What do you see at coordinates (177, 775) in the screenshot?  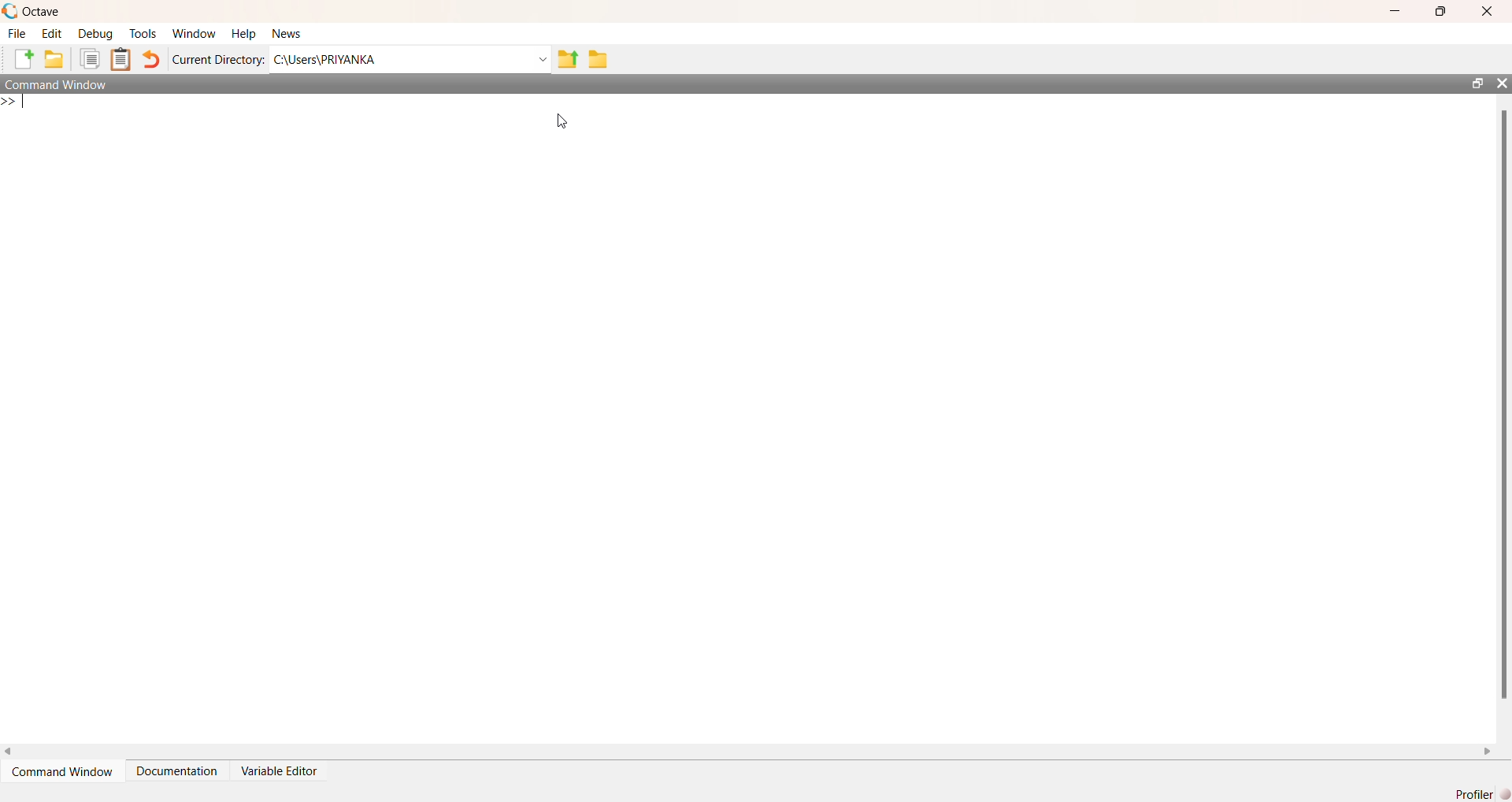 I see `documentation` at bounding box center [177, 775].